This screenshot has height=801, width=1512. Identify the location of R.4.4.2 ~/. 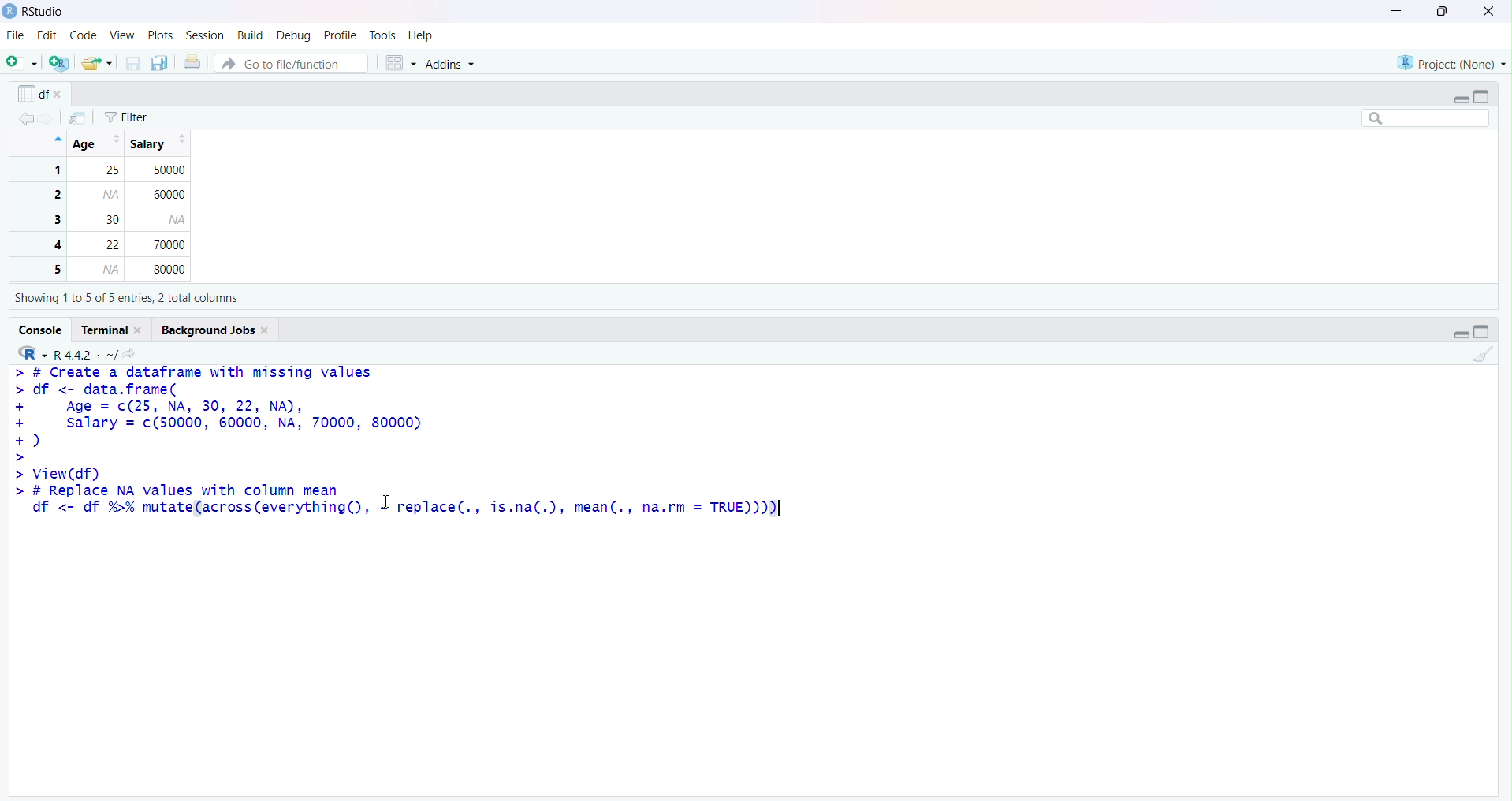
(84, 351).